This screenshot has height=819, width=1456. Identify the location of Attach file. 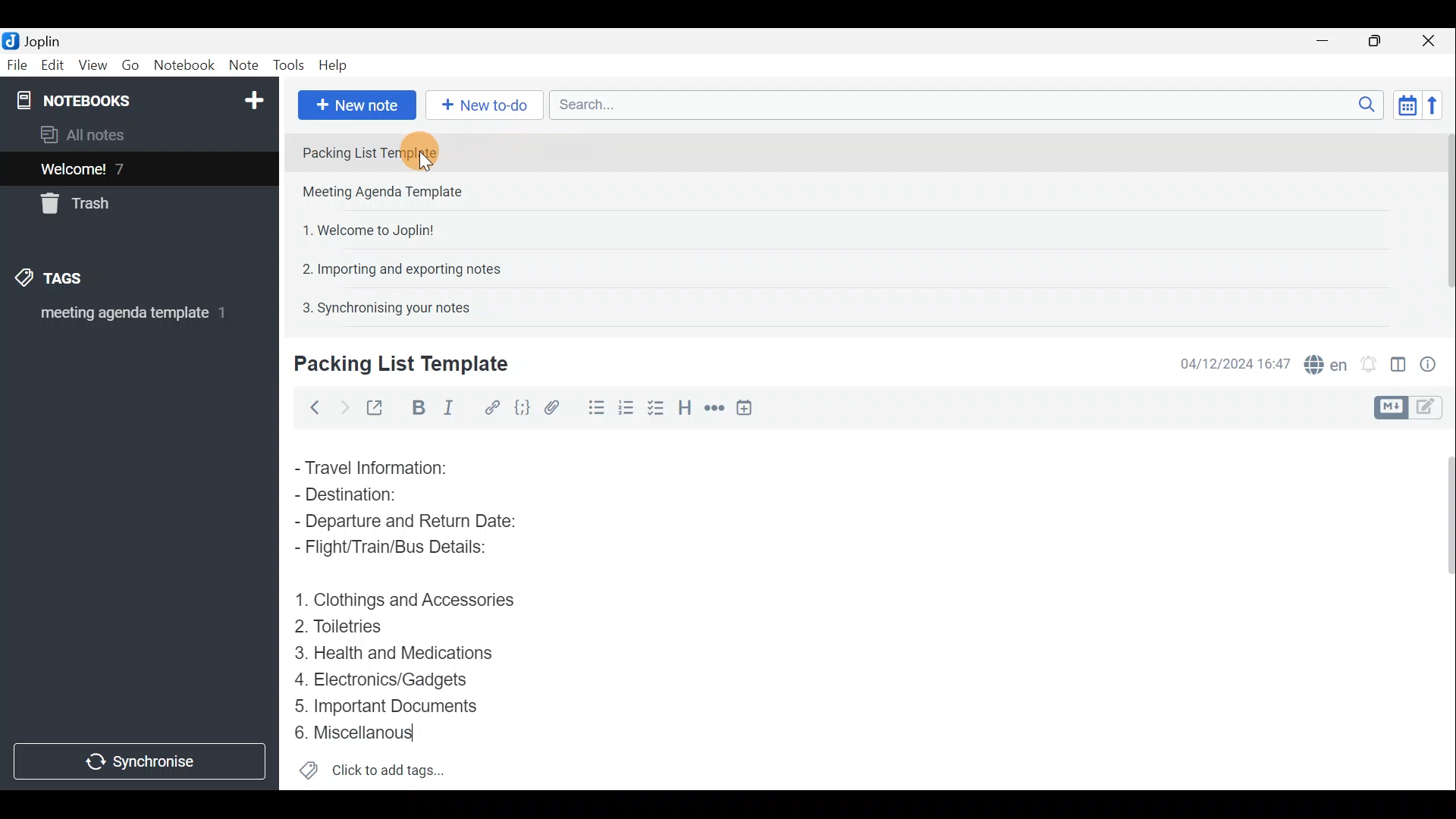
(552, 406).